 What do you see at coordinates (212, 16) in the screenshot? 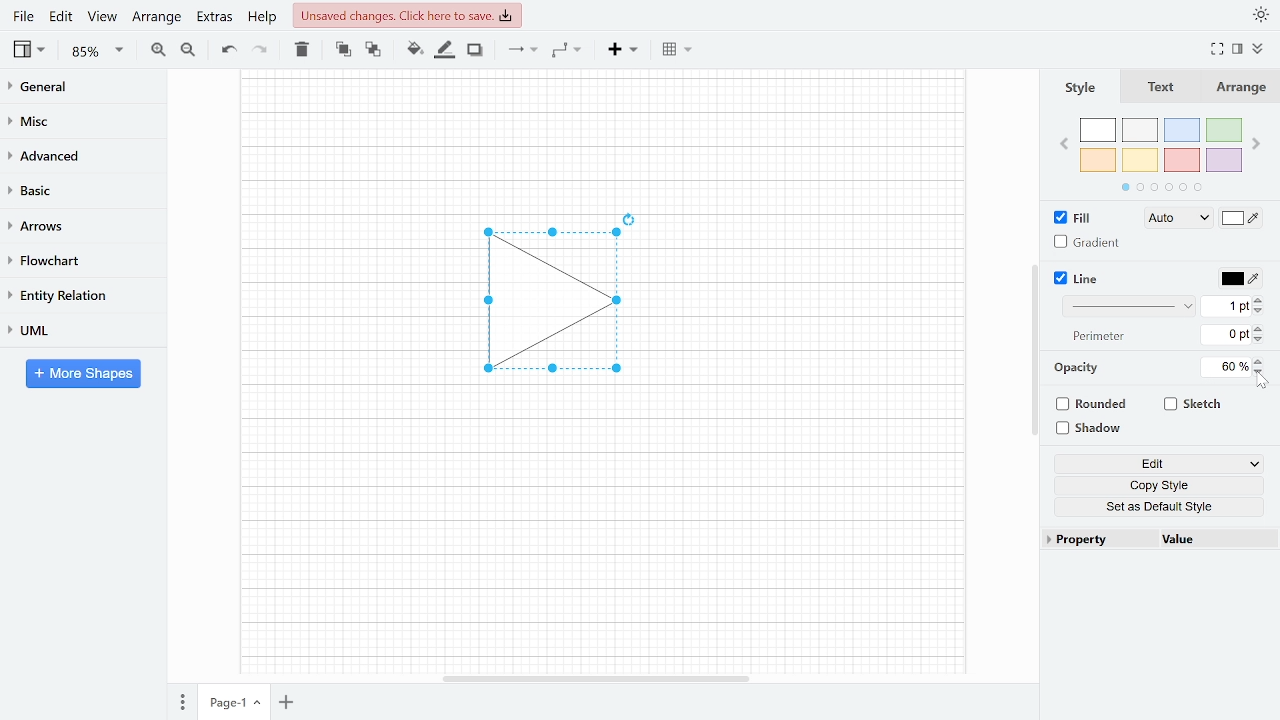
I see `Extras` at bounding box center [212, 16].